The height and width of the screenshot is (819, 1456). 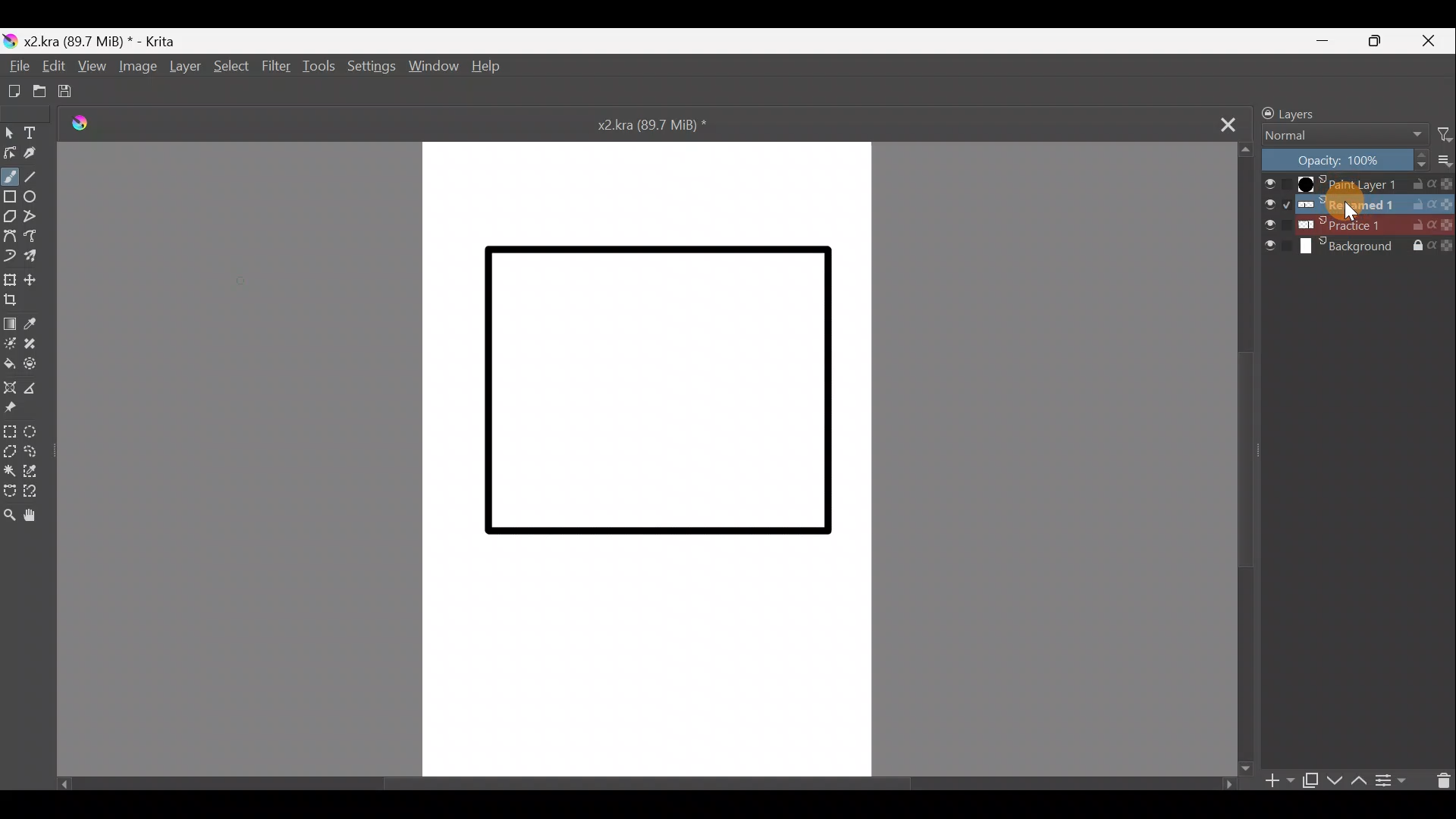 What do you see at coordinates (36, 198) in the screenshot?
I see `Ellipse tool` at bounding box center [36, 198].